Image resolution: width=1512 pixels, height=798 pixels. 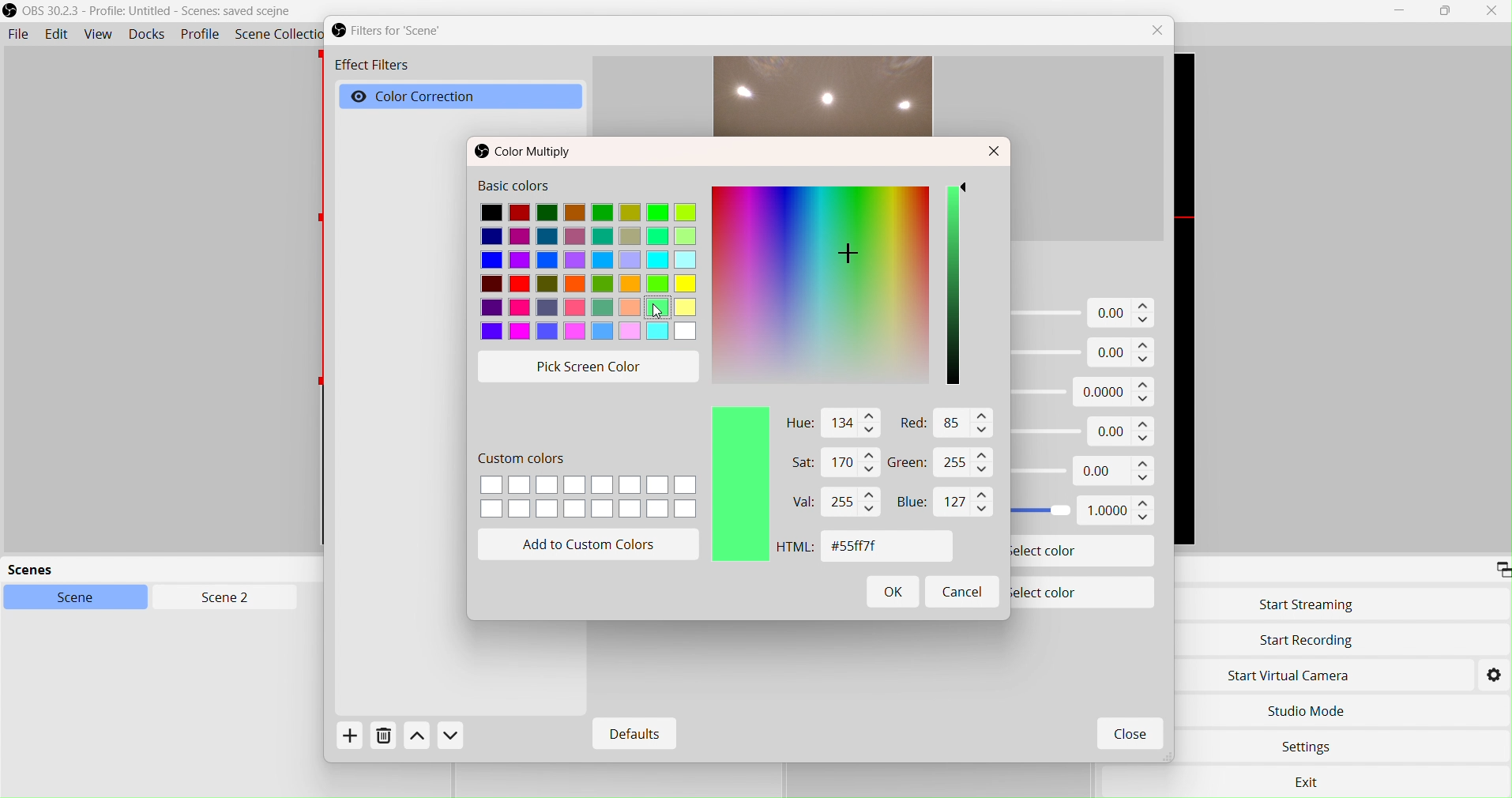 I want to click on Delete, so click(x=384, y=740).